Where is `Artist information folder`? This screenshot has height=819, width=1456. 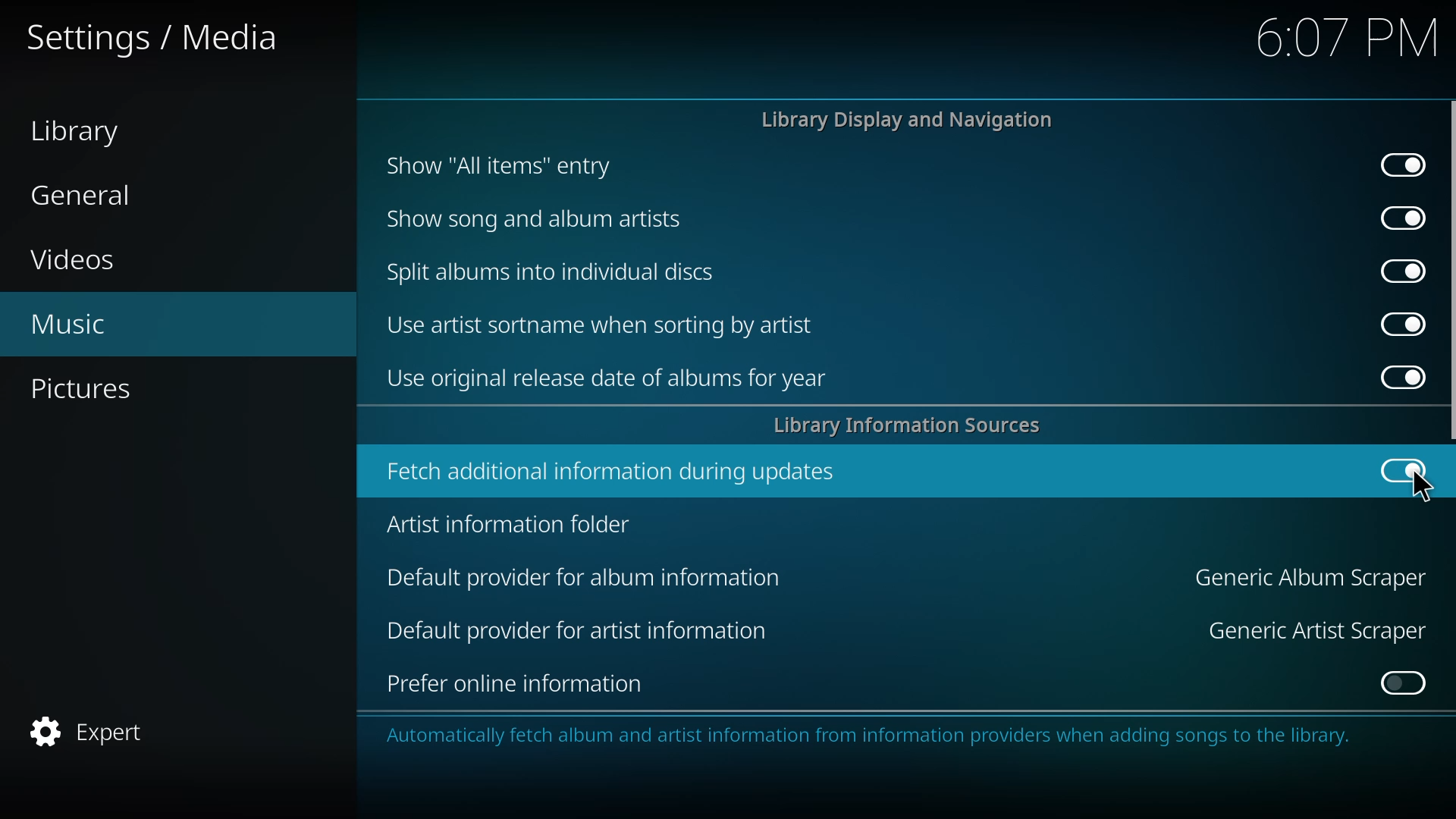 Artist information folder is located at coordinates (516, 531).